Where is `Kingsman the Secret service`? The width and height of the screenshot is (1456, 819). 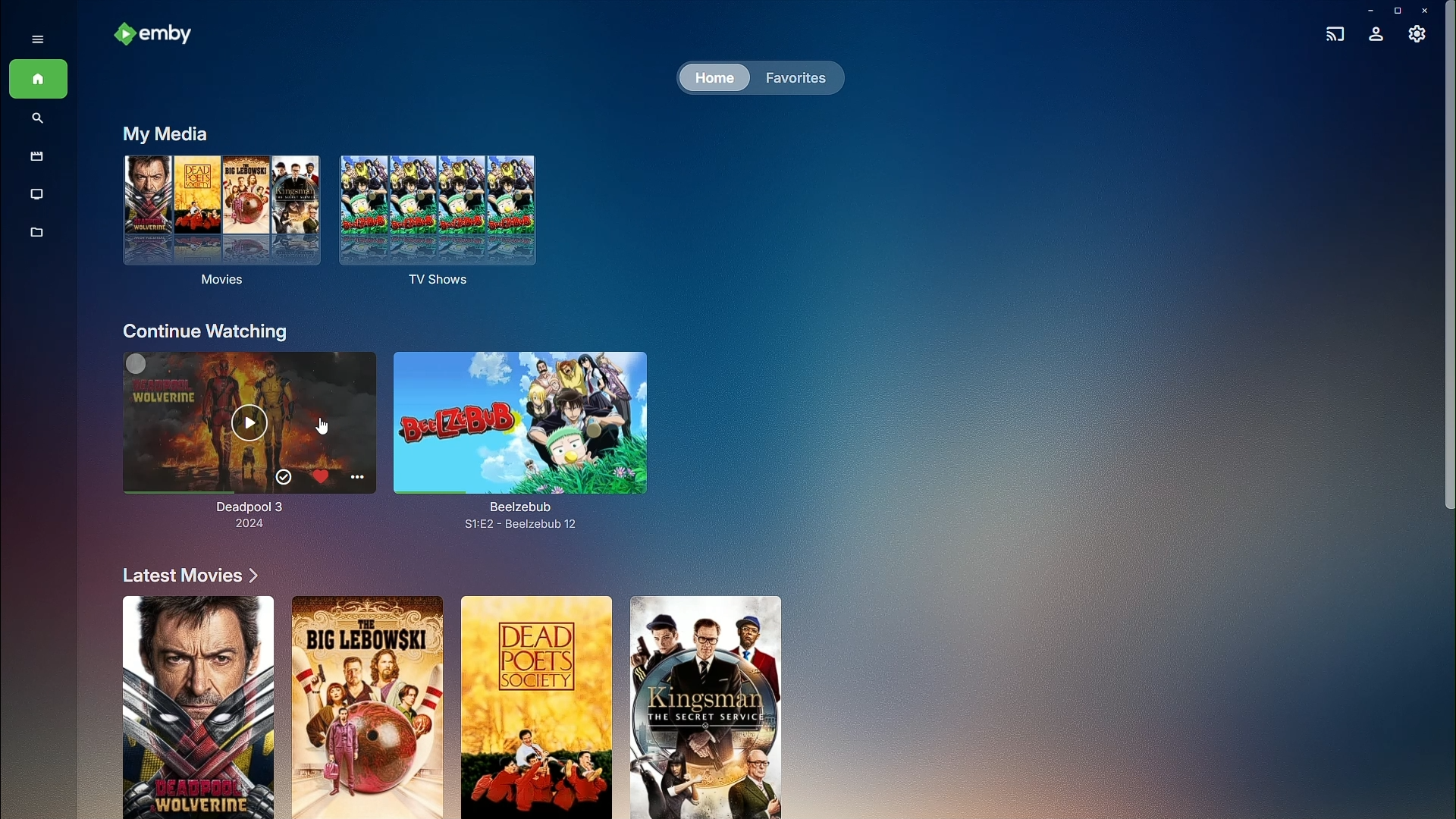 Kingsman the Secret service is located at coordinates (706, 707).